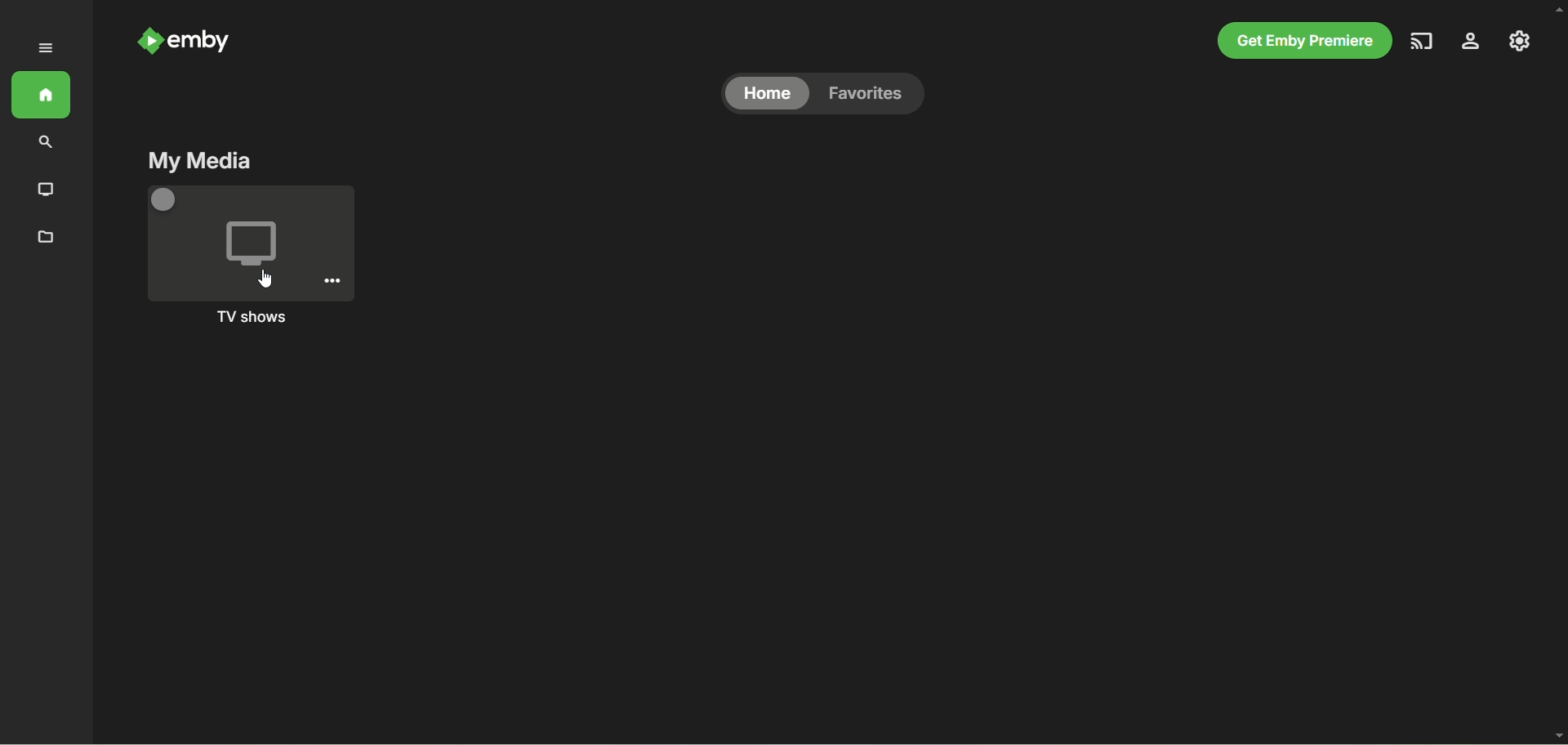 The image size is (1568, 745). What do you see at coordinates (252, 317) in the screenshot?
I see `TV shows` at bounding box center [252, 317].